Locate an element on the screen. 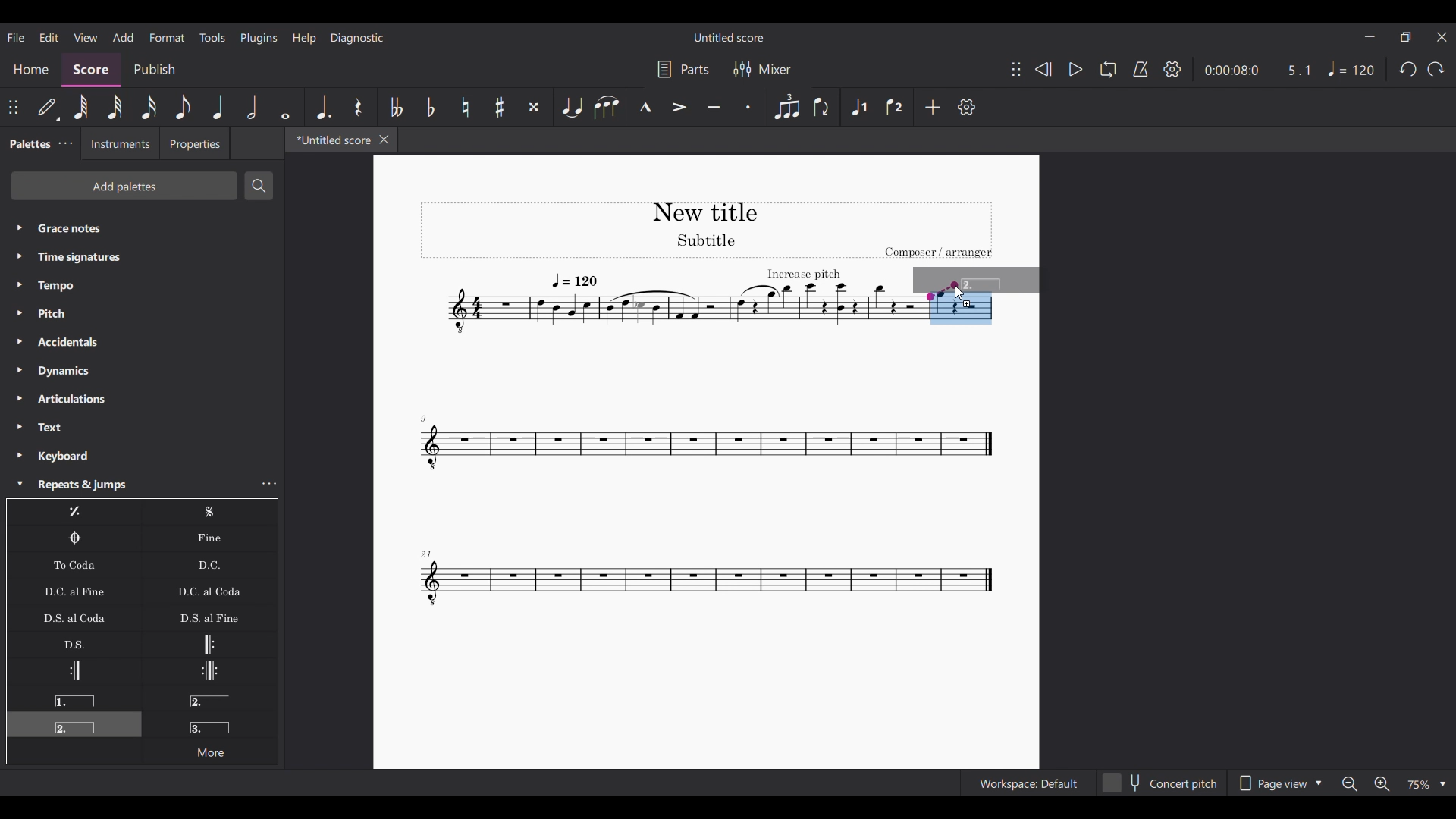  Untitled score is located at coordinates (729, 38).